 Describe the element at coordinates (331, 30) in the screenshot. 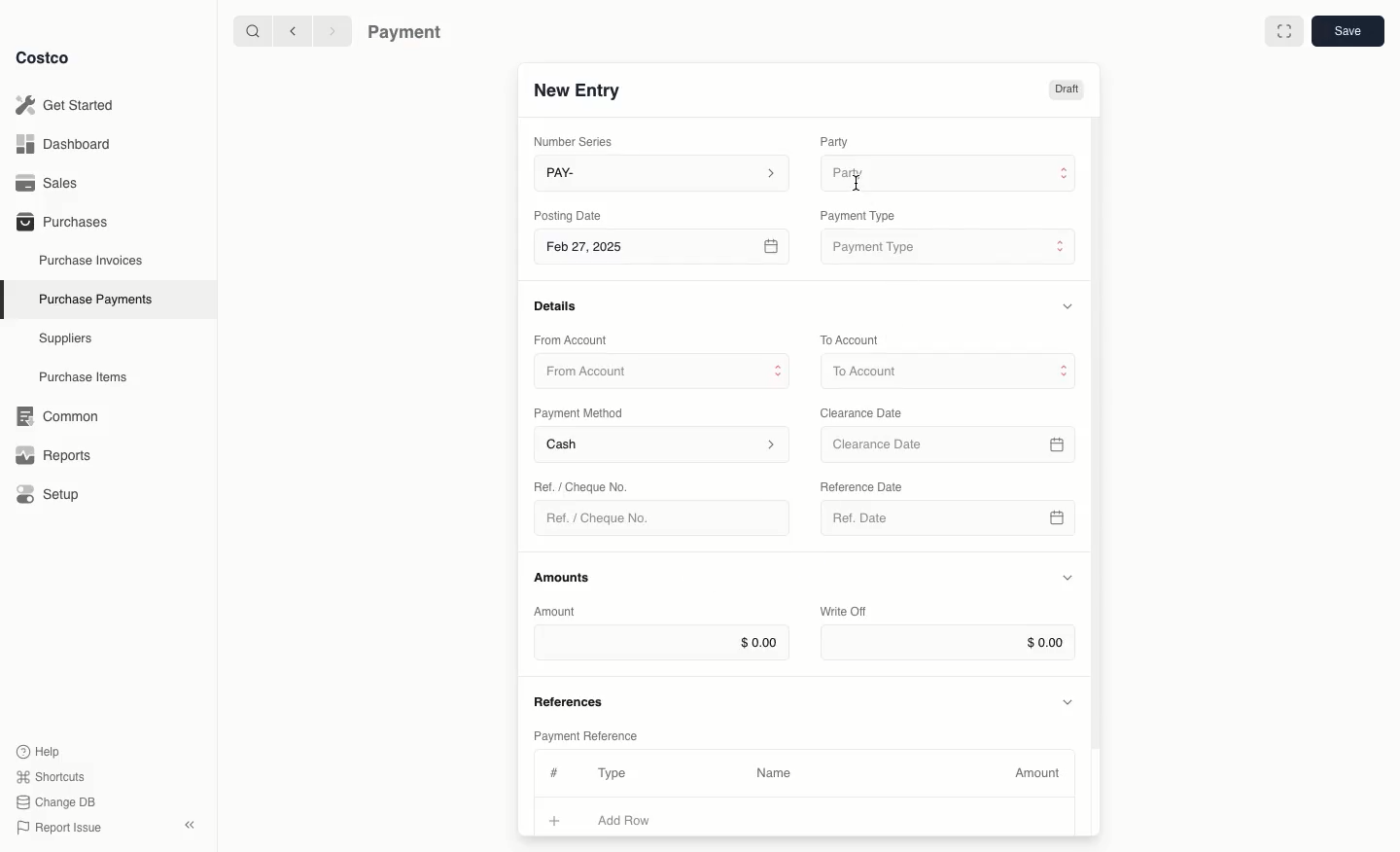

I see `Forward` at that location.